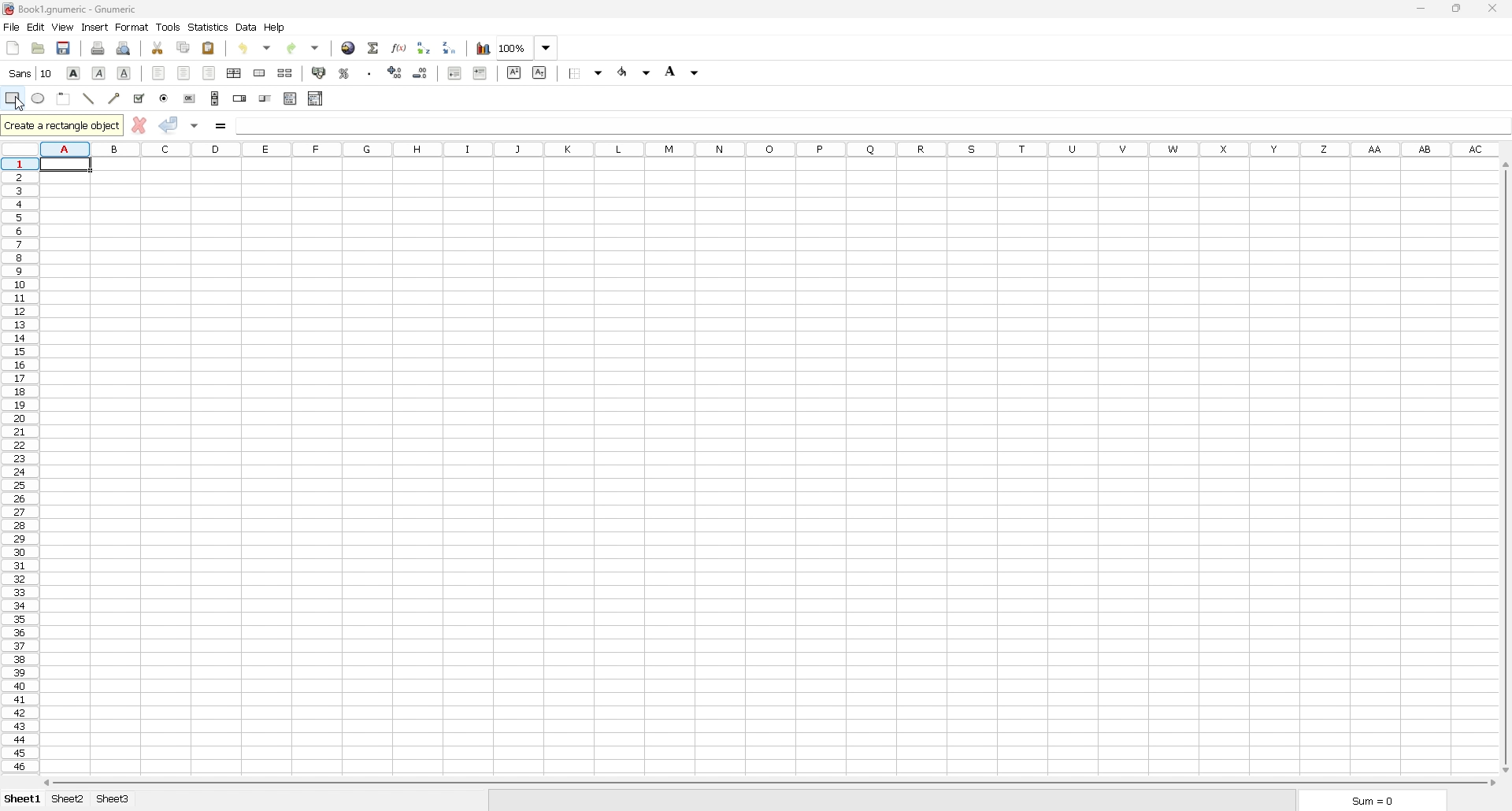 Image resolution: width=1512 pixels, height=811 pixels. Describe the element at coordinates (39, 98) in the screenshot. I see `ellipse` at that location.